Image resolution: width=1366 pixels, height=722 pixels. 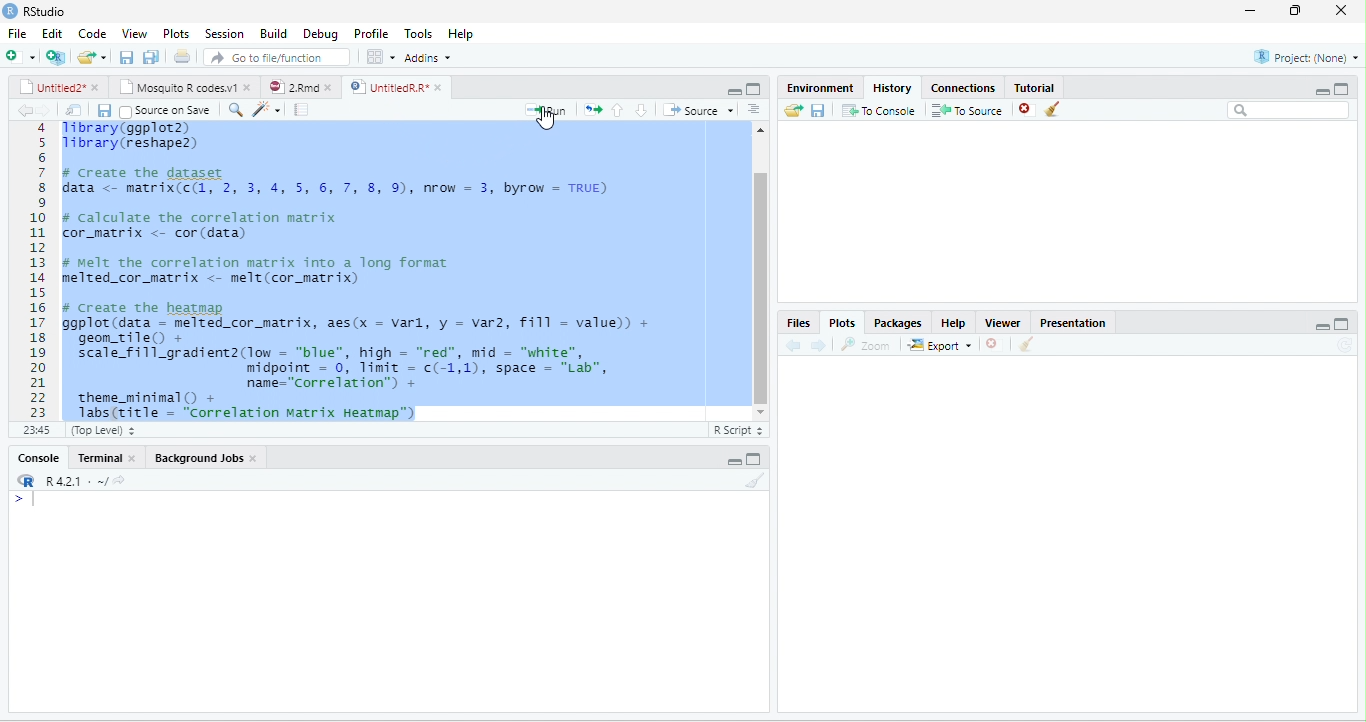 What do you see at coordinates (817, 110) in the screenshot?
I see `save` at bounding box center [817, 110].